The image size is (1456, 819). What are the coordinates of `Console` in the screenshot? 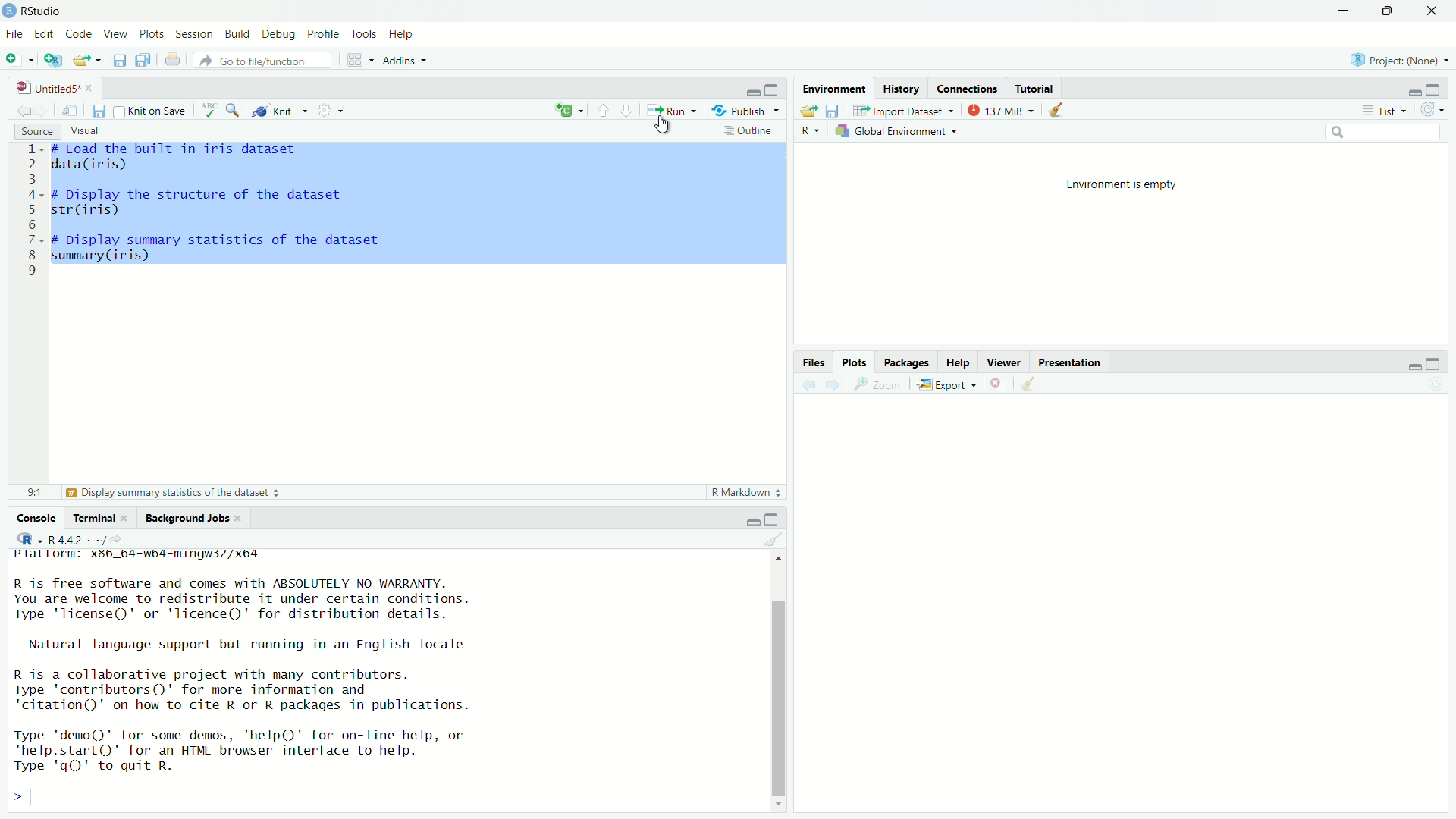 It's located at (35, 518).